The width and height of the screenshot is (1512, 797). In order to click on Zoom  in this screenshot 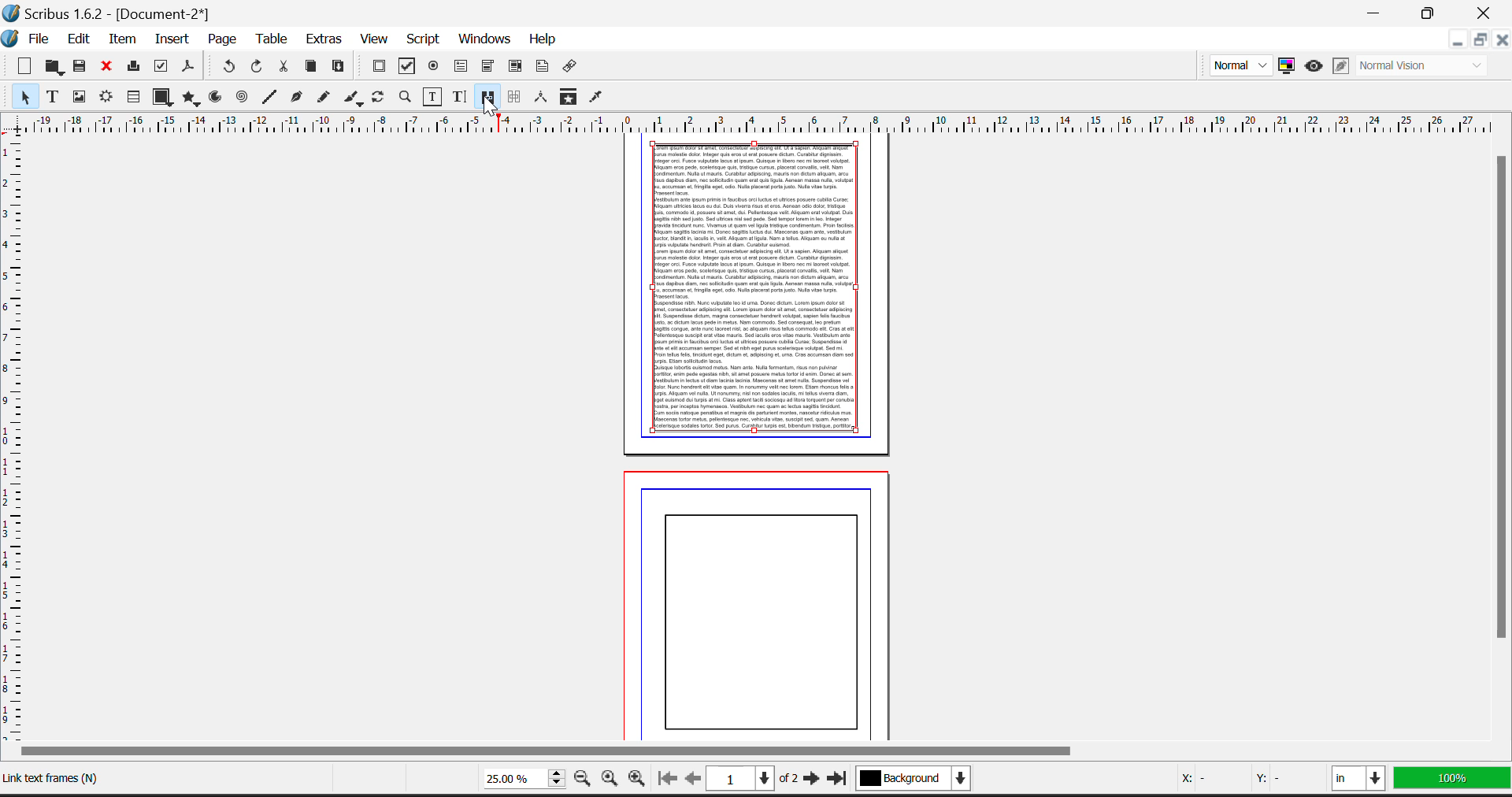, I will do `click(405, 98)`.